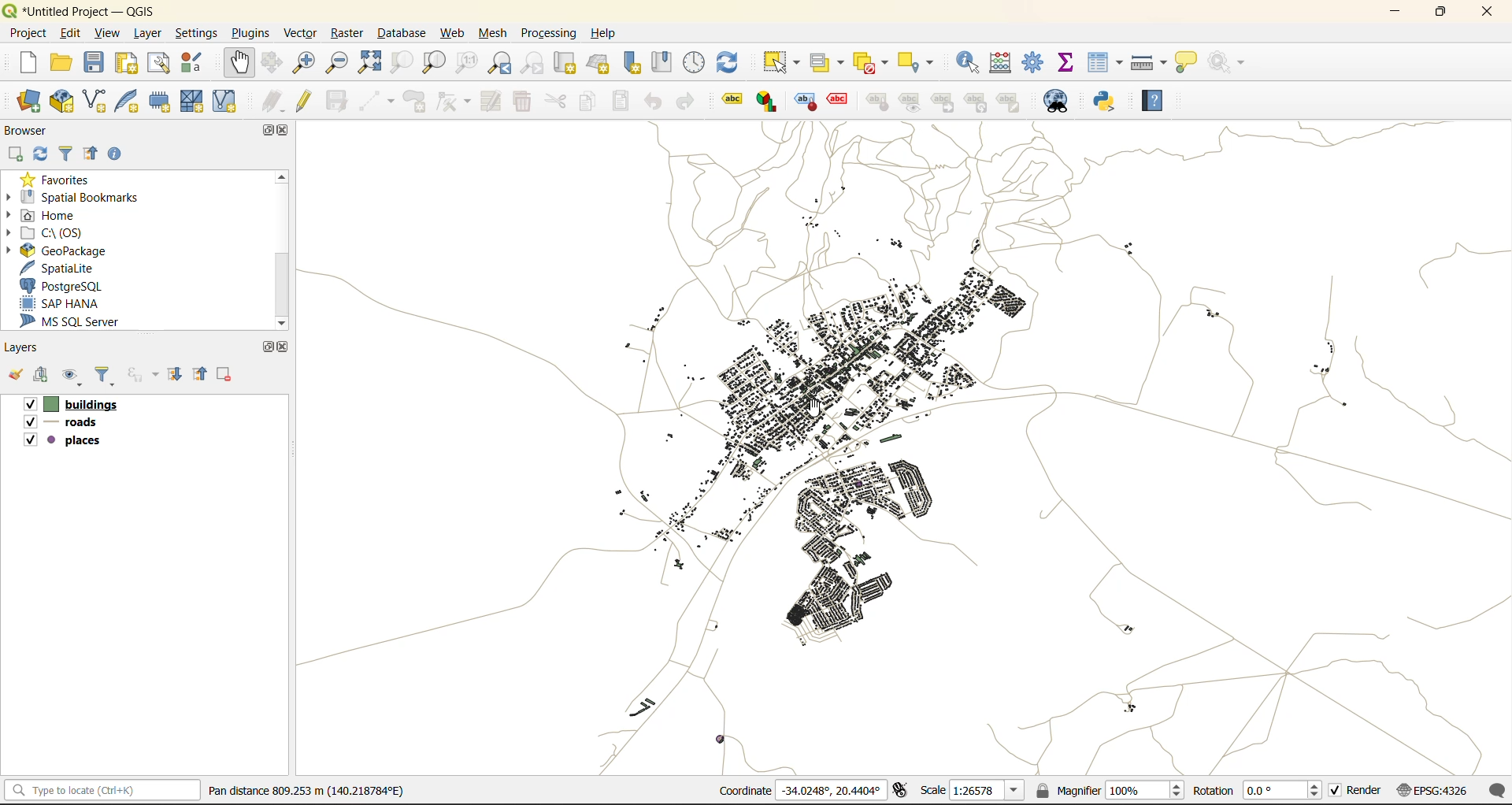 The width and height of the screenshot is (1512, 805). What do you see at coordinates (372, 63) in the screenshot?
I see `zoom full` at bounding box center [372, 63].